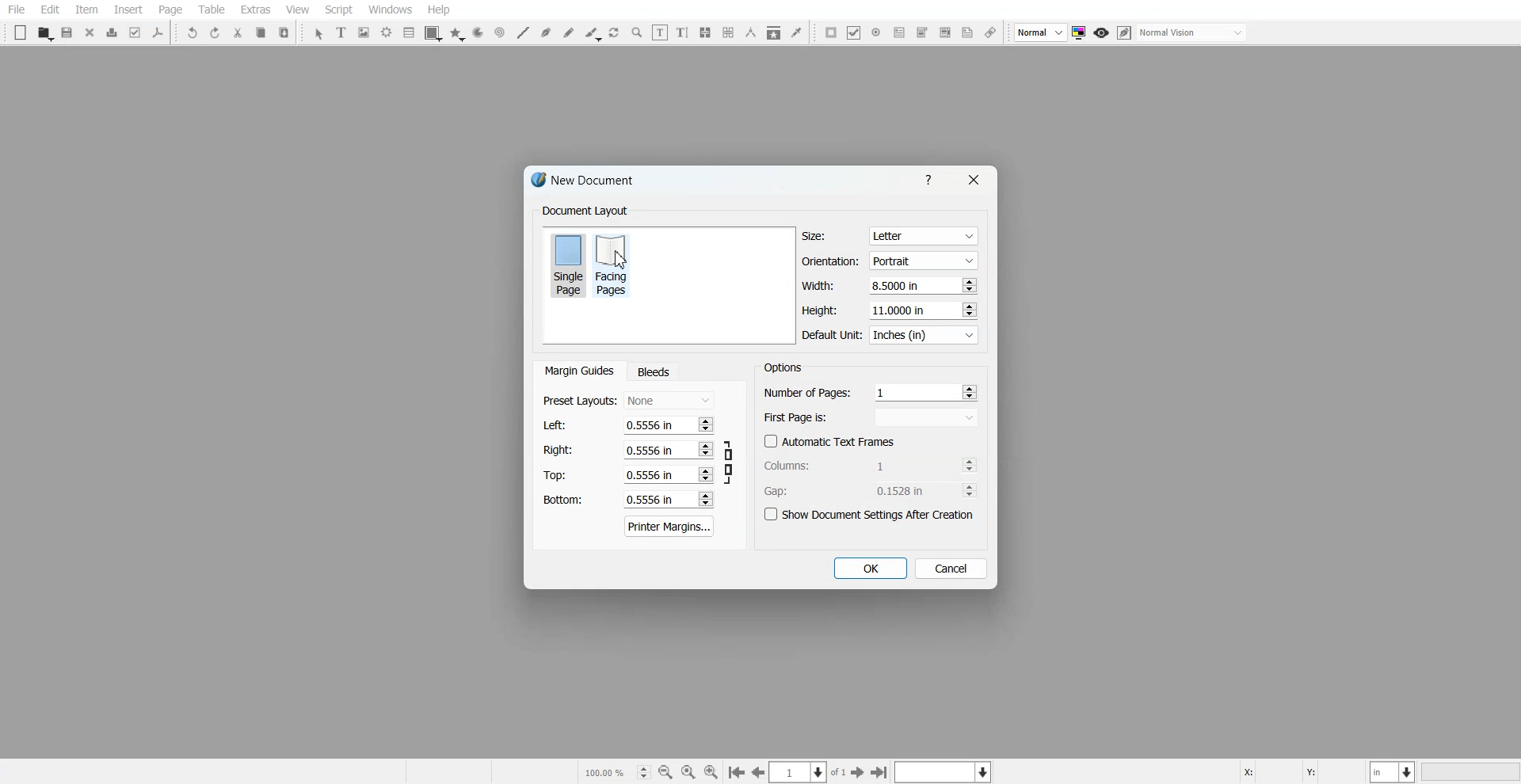 This screenshot has height=784, width=1521. What do you see at coordinates (260, 32) in the screenshot?
I see `Copy` at bounding box center [260, 32].